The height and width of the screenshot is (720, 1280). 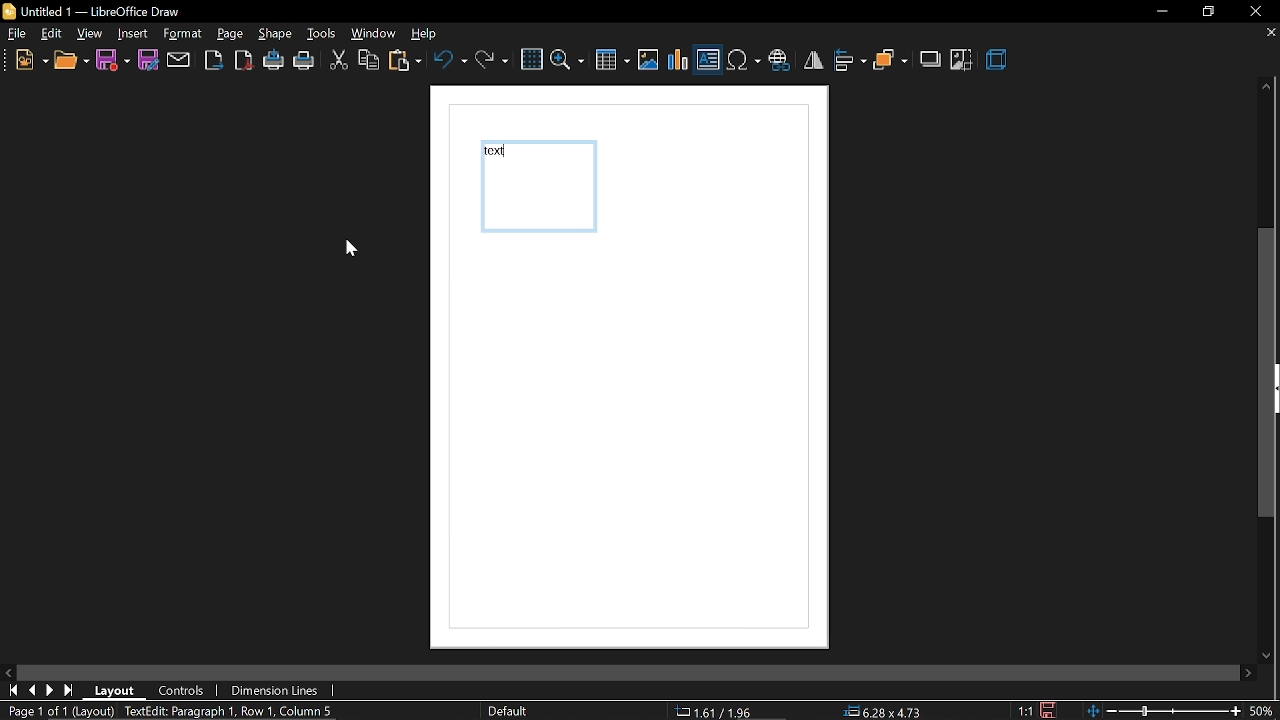 I want to click on insert image, so click(x=648, y=61).